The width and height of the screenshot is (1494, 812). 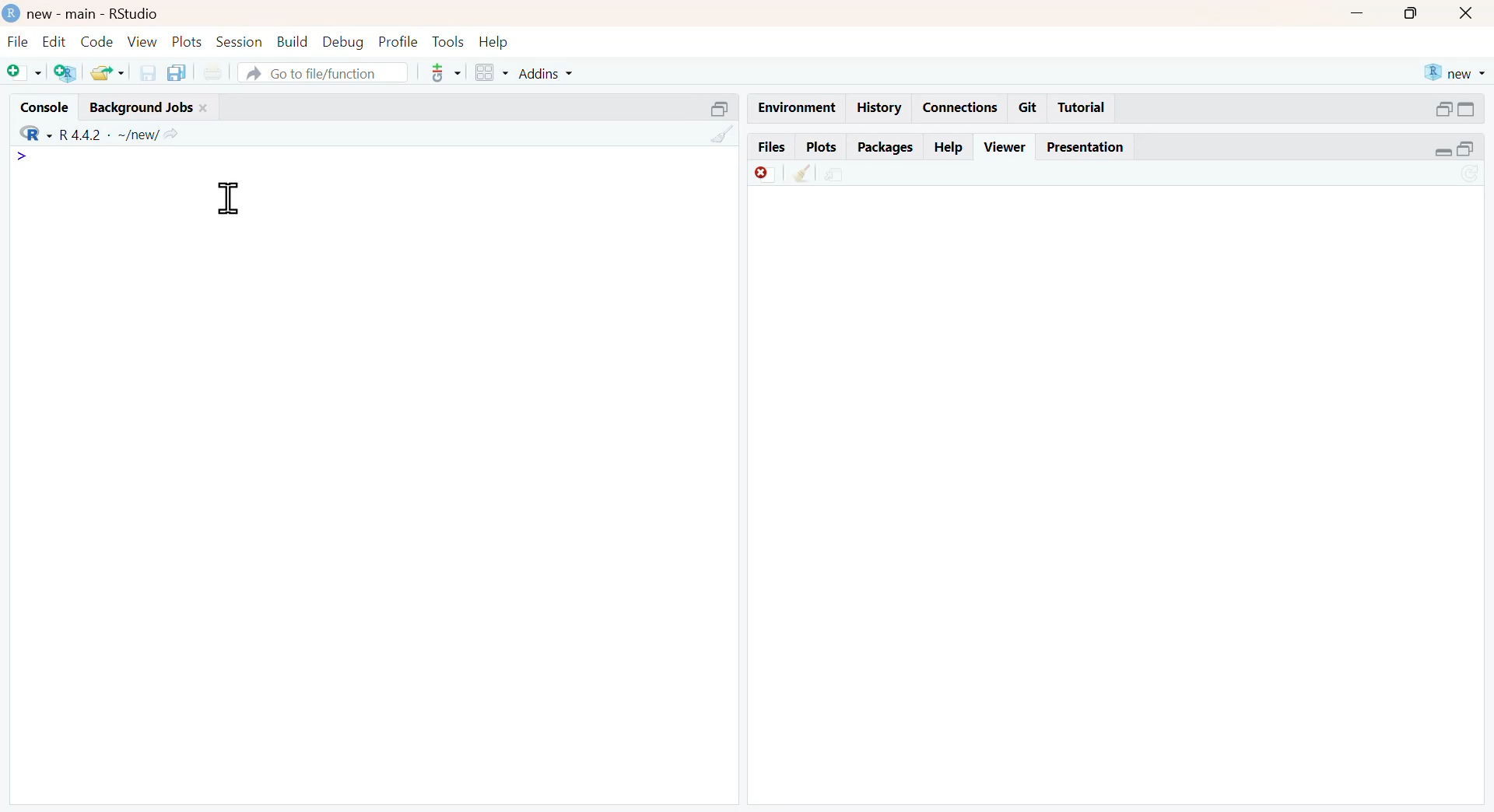 What do you see at coordinates (55, 40) in the screenshot?
I see `Edit ` at bounding box center [55, 40].